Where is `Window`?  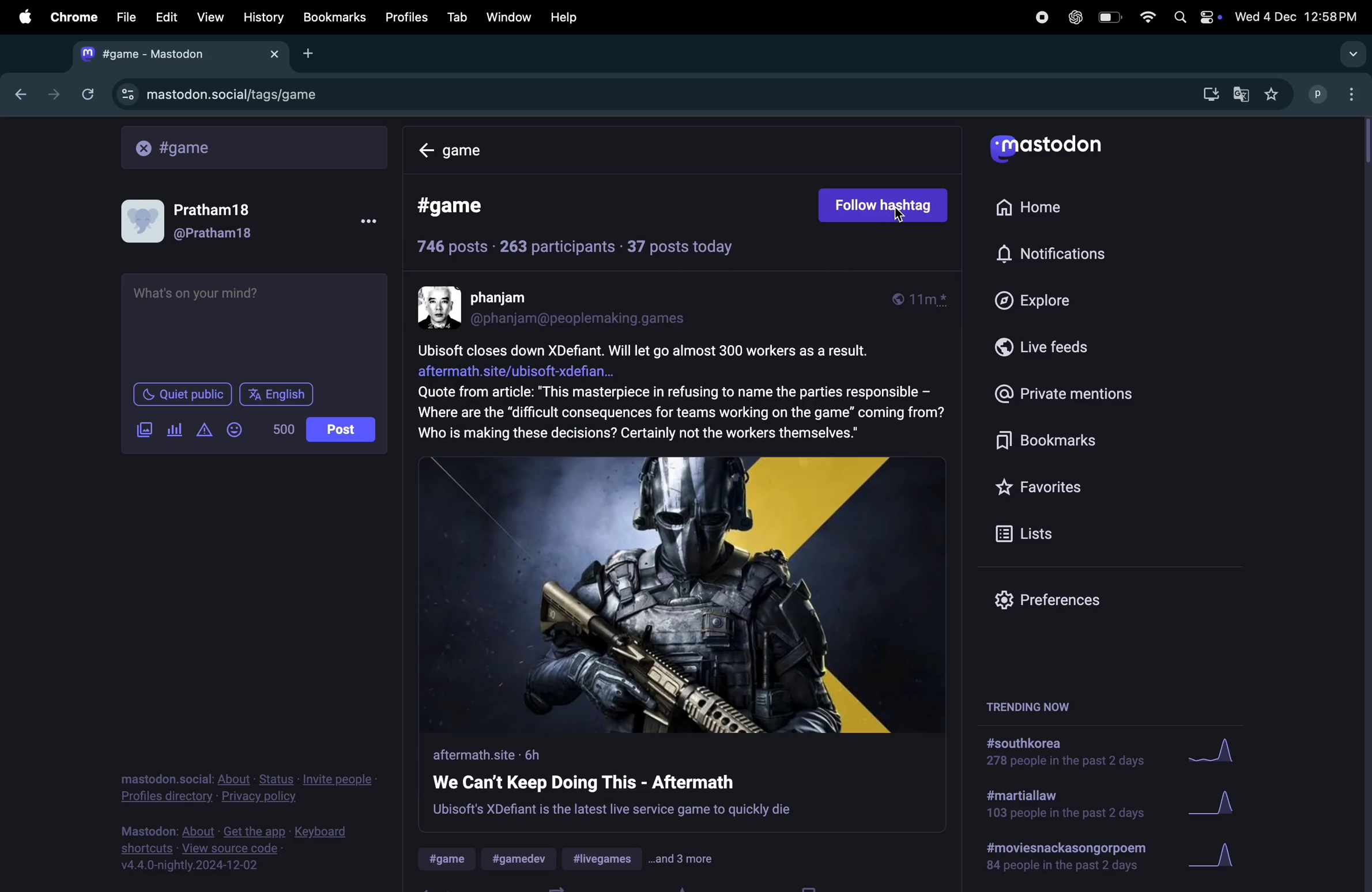
Window is located at coordinates (508, 17).